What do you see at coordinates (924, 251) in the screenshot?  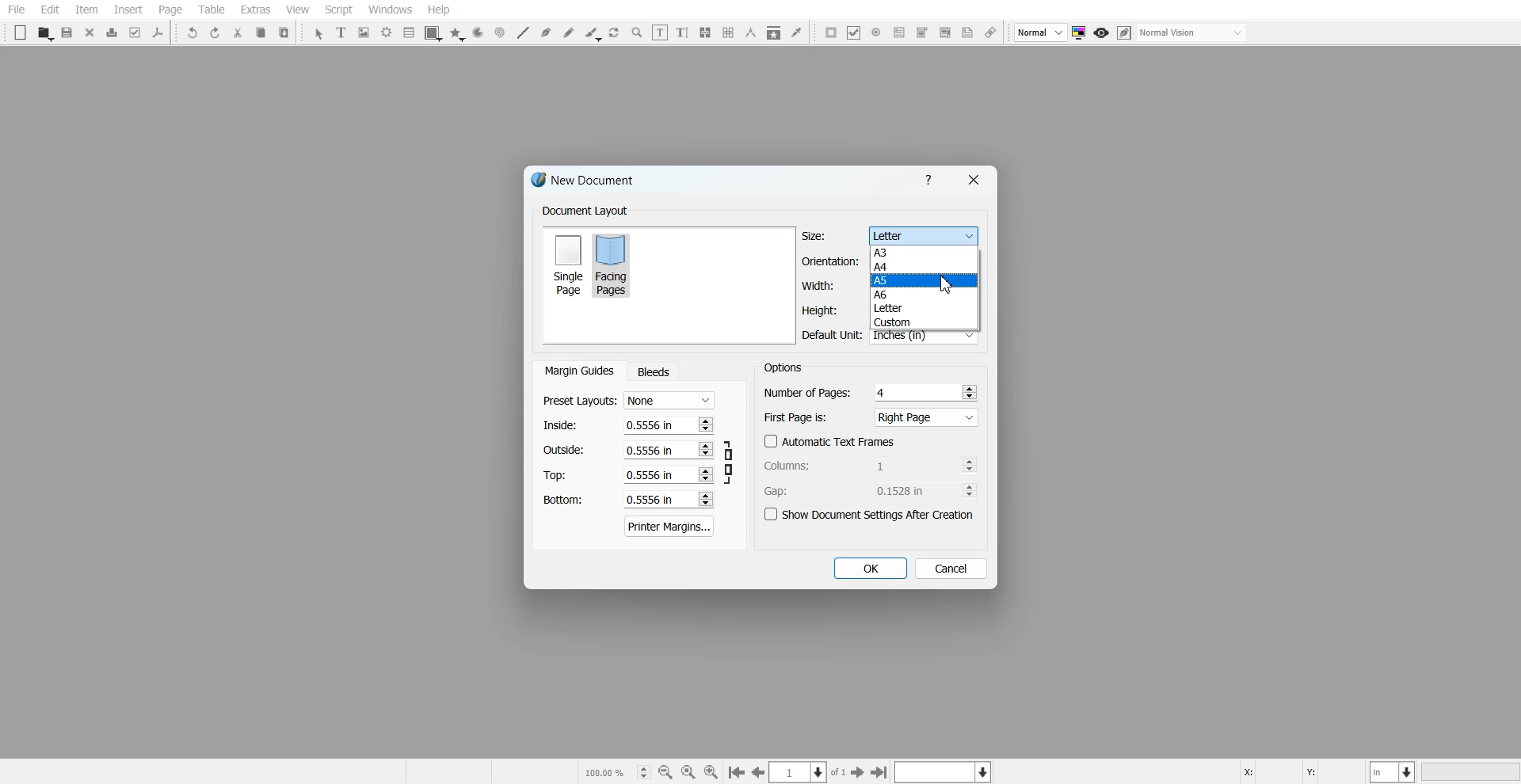 I see `A3` at bounding box center [924, 251].